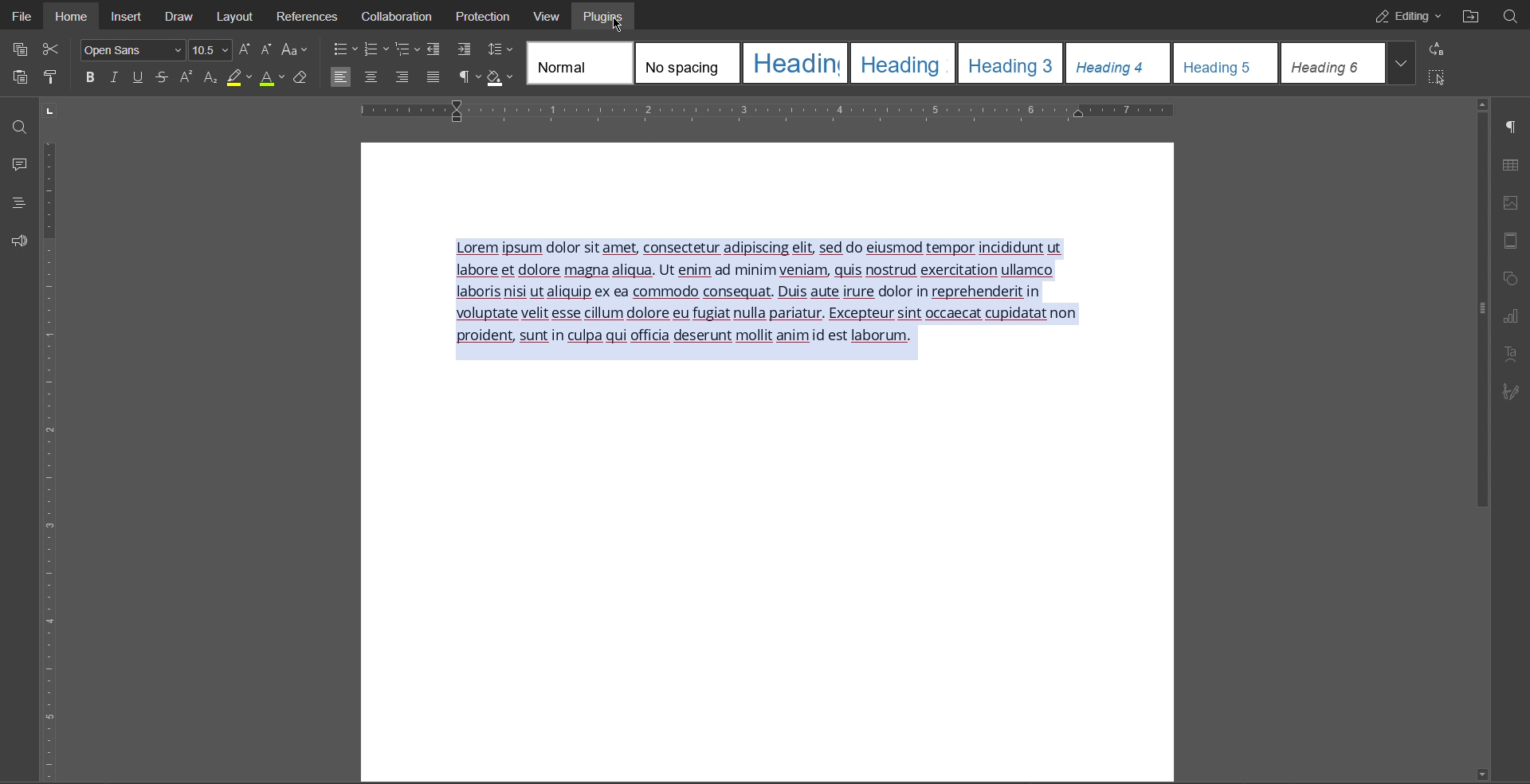  What do you see at coordinates (1406, 16) in the screenshot?
I see `Editing` at bounding box center [1406, 16].